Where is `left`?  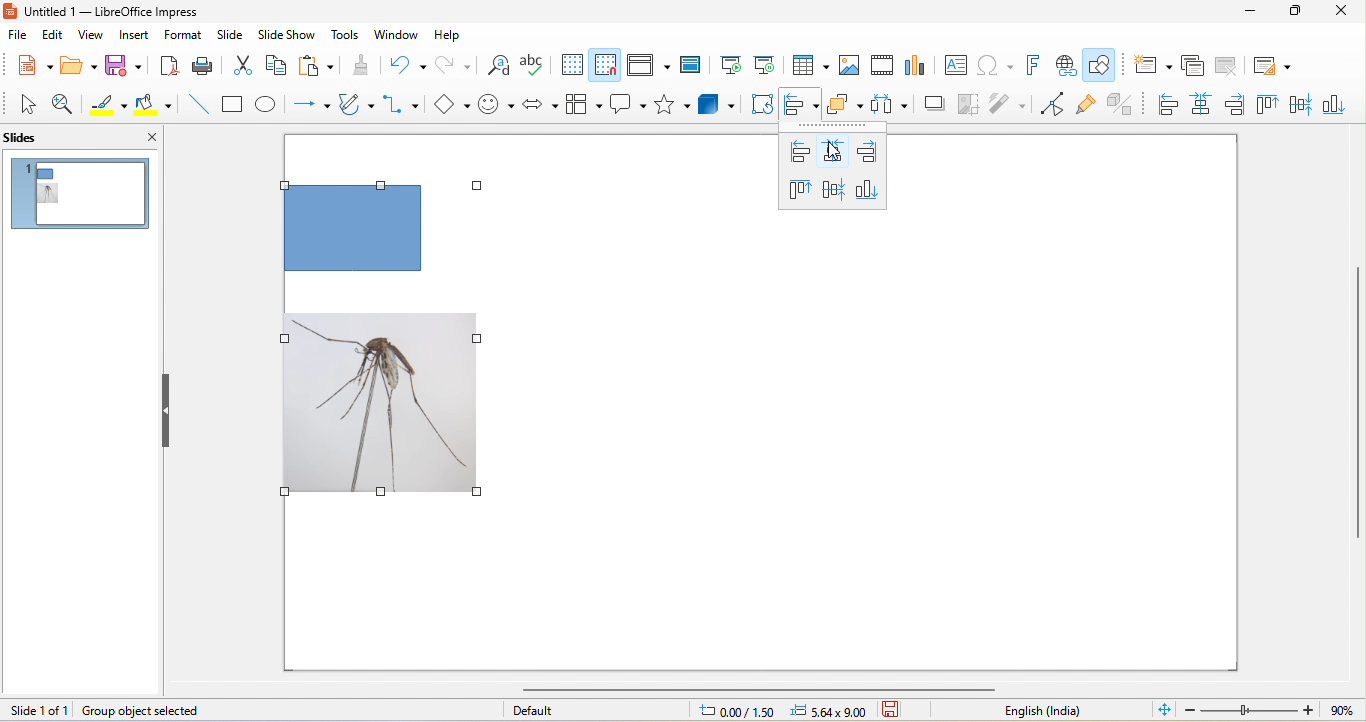
left is located at coordinates (797, 149).